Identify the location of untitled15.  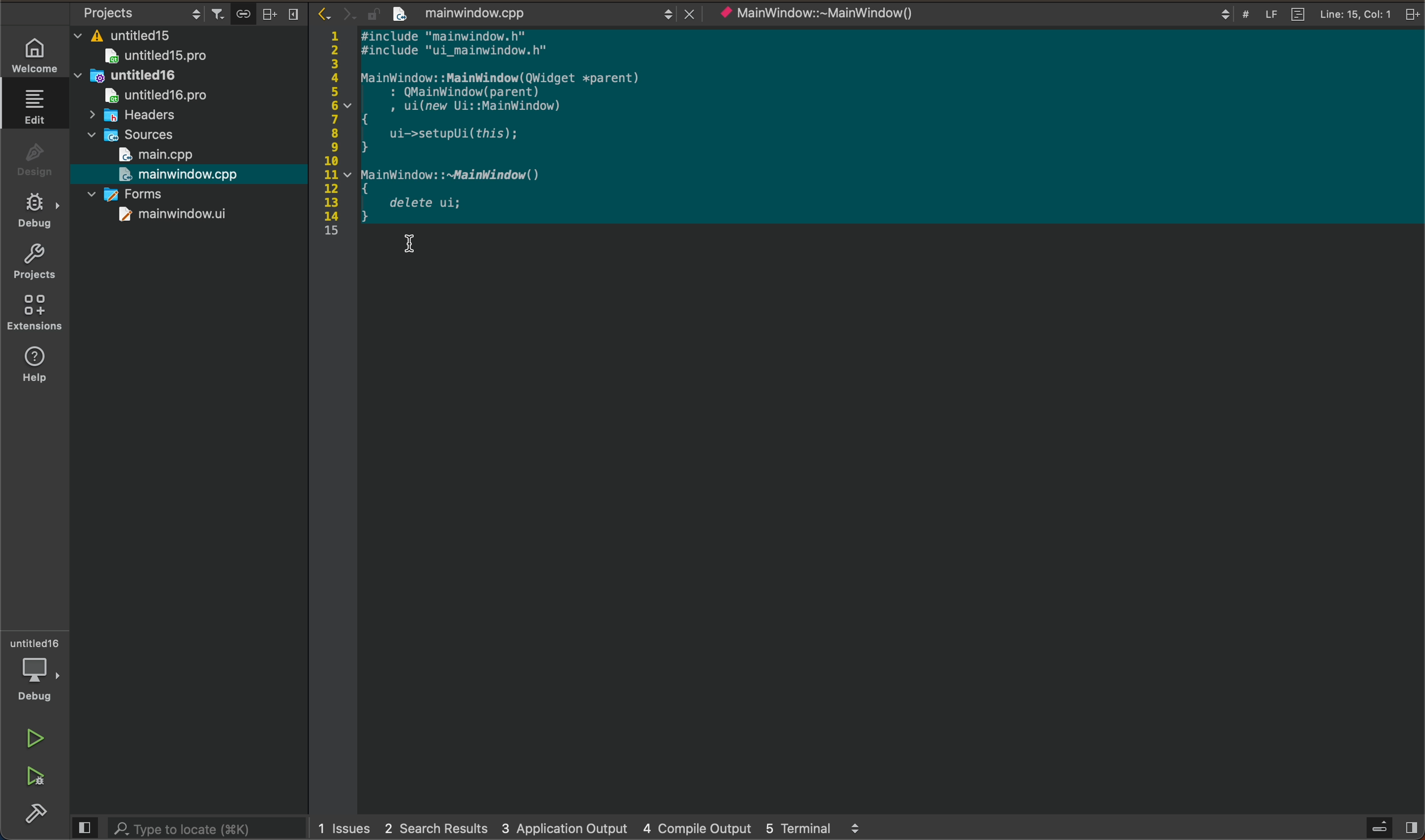
(136, 32).